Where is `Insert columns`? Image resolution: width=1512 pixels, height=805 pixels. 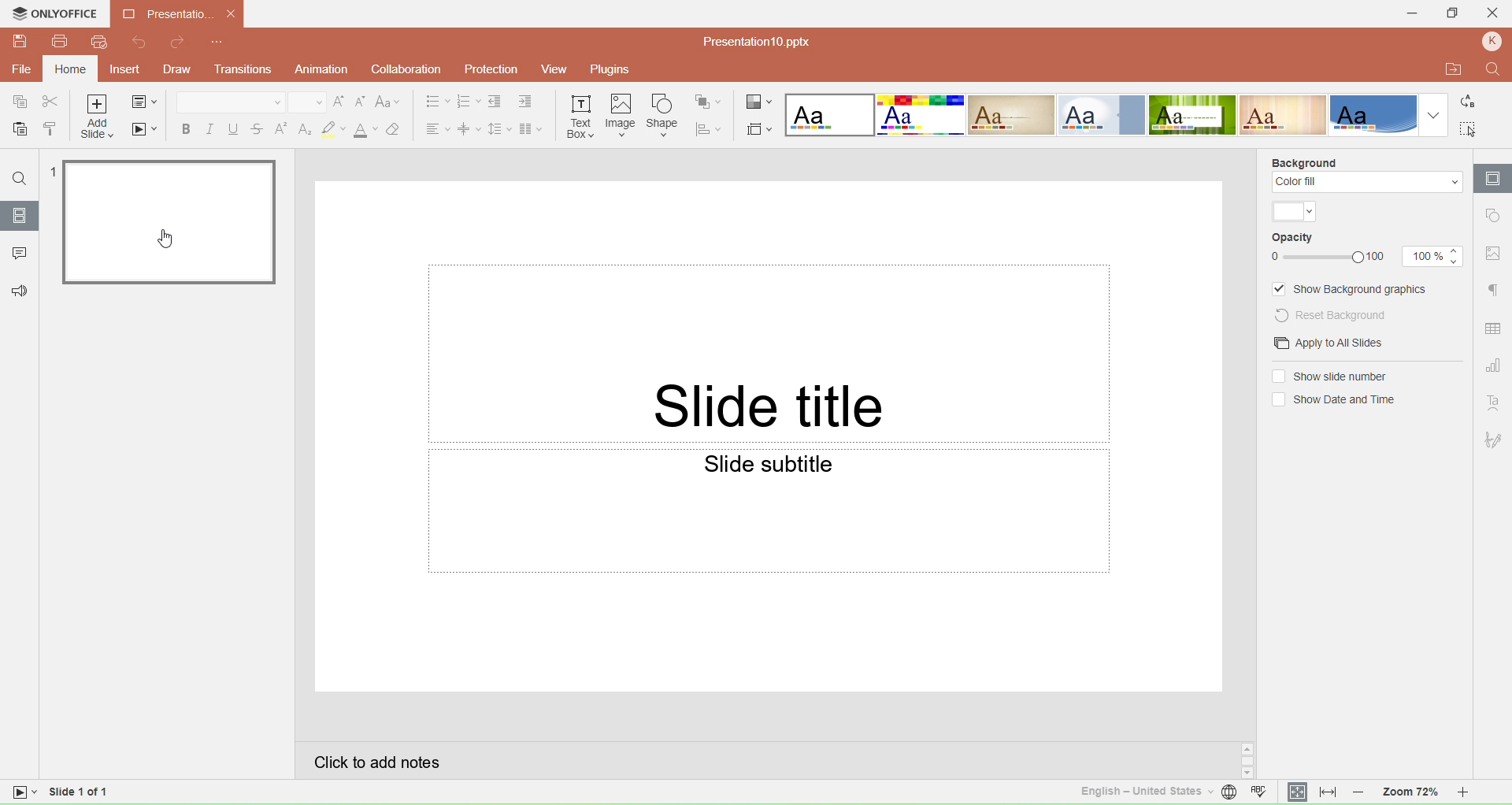
Insert columns is located at coordinates (535, 128).